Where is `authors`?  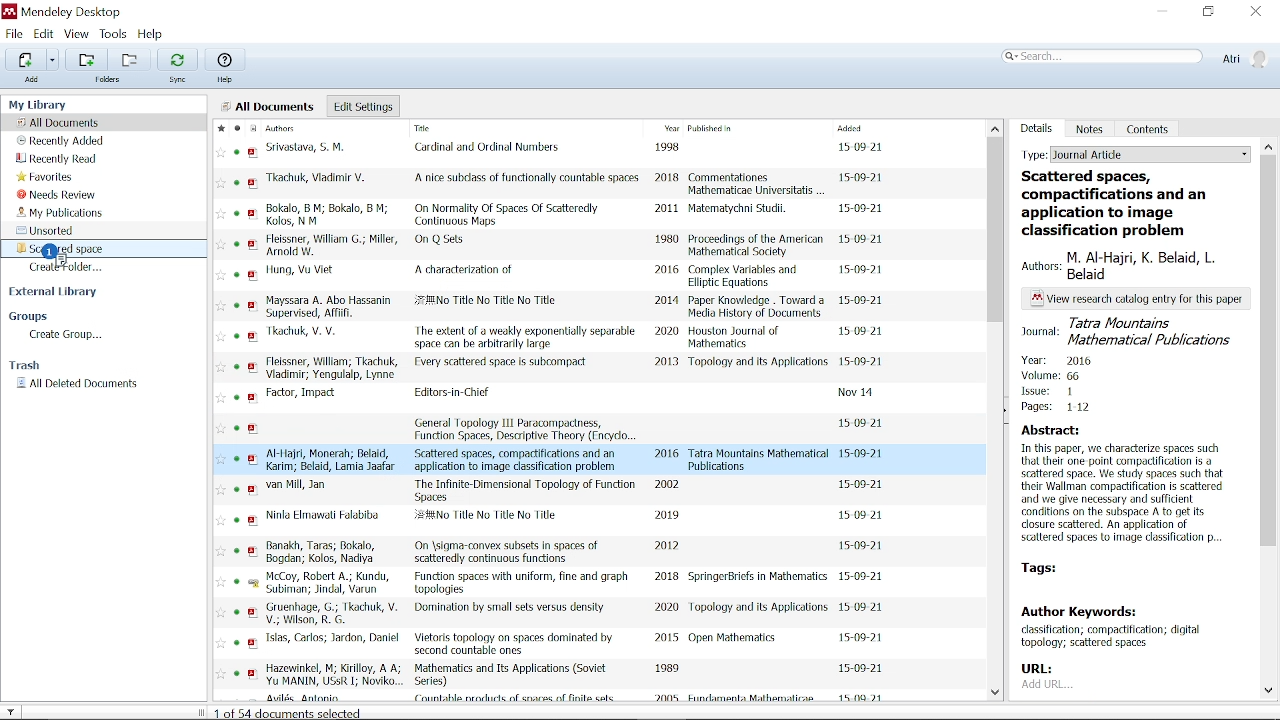 authors is located at coordinates (312, 334).